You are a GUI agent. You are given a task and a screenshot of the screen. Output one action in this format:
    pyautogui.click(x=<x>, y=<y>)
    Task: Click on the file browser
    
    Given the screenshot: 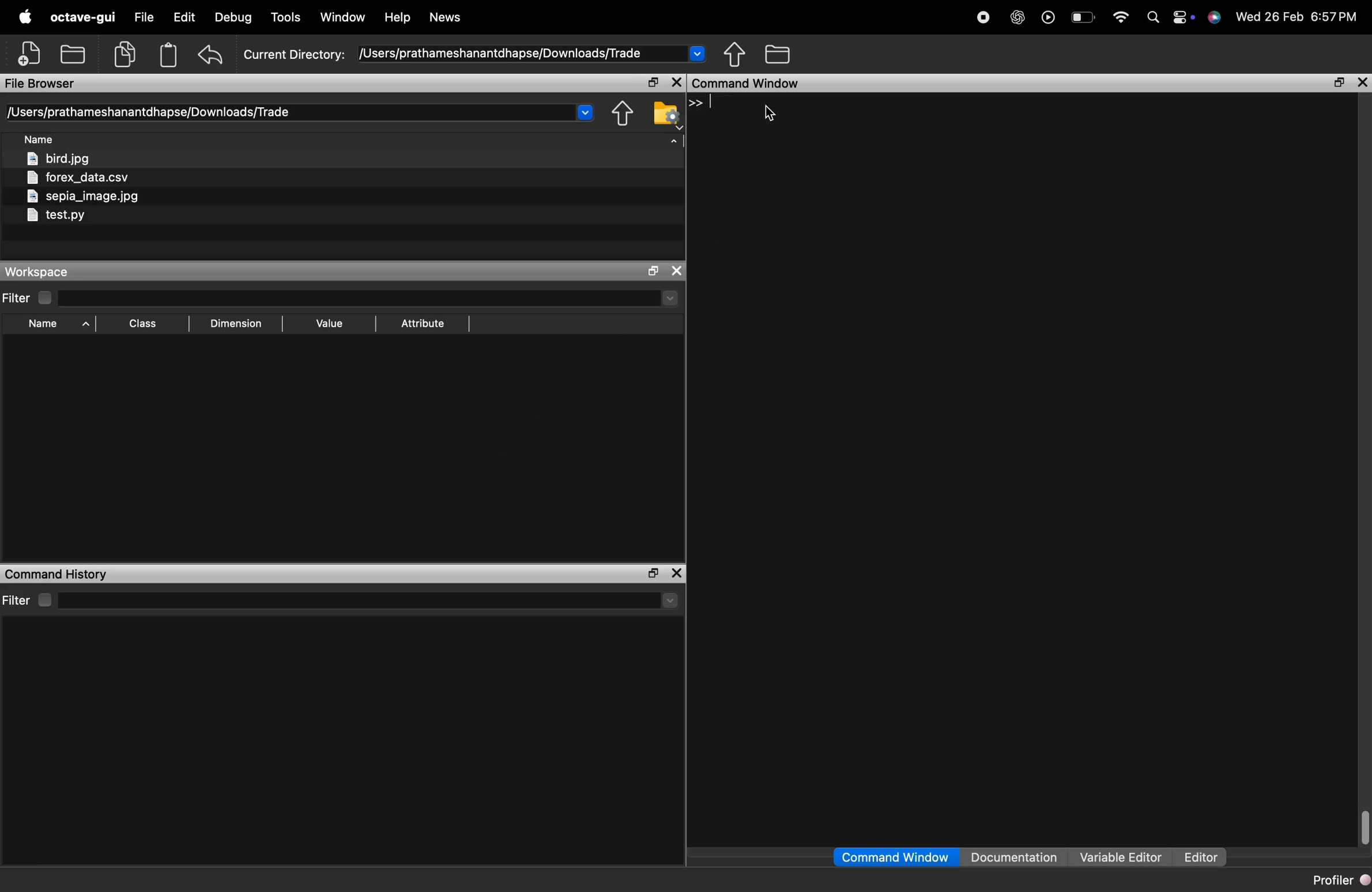 What is the action you would take?
    pyautogui.click(x=43, y=84)
    